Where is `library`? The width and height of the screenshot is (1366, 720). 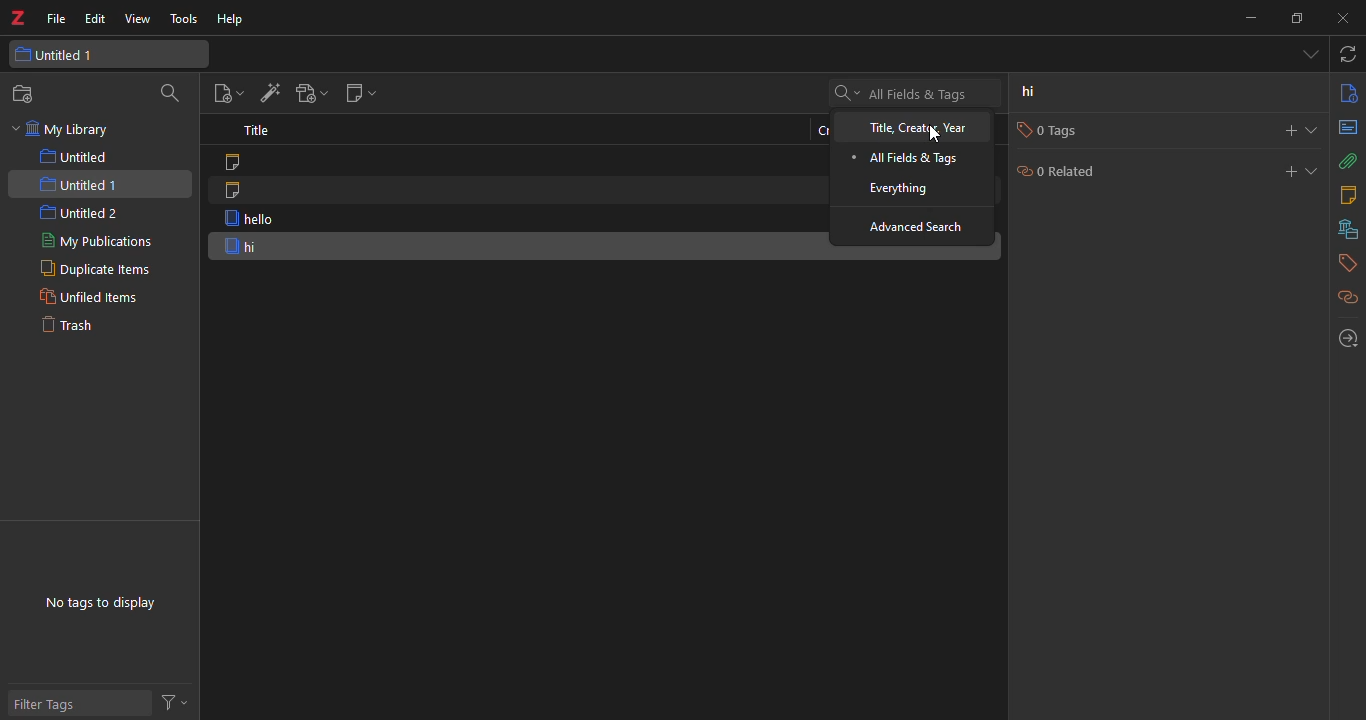 library is located at coordinates (1347, 229).